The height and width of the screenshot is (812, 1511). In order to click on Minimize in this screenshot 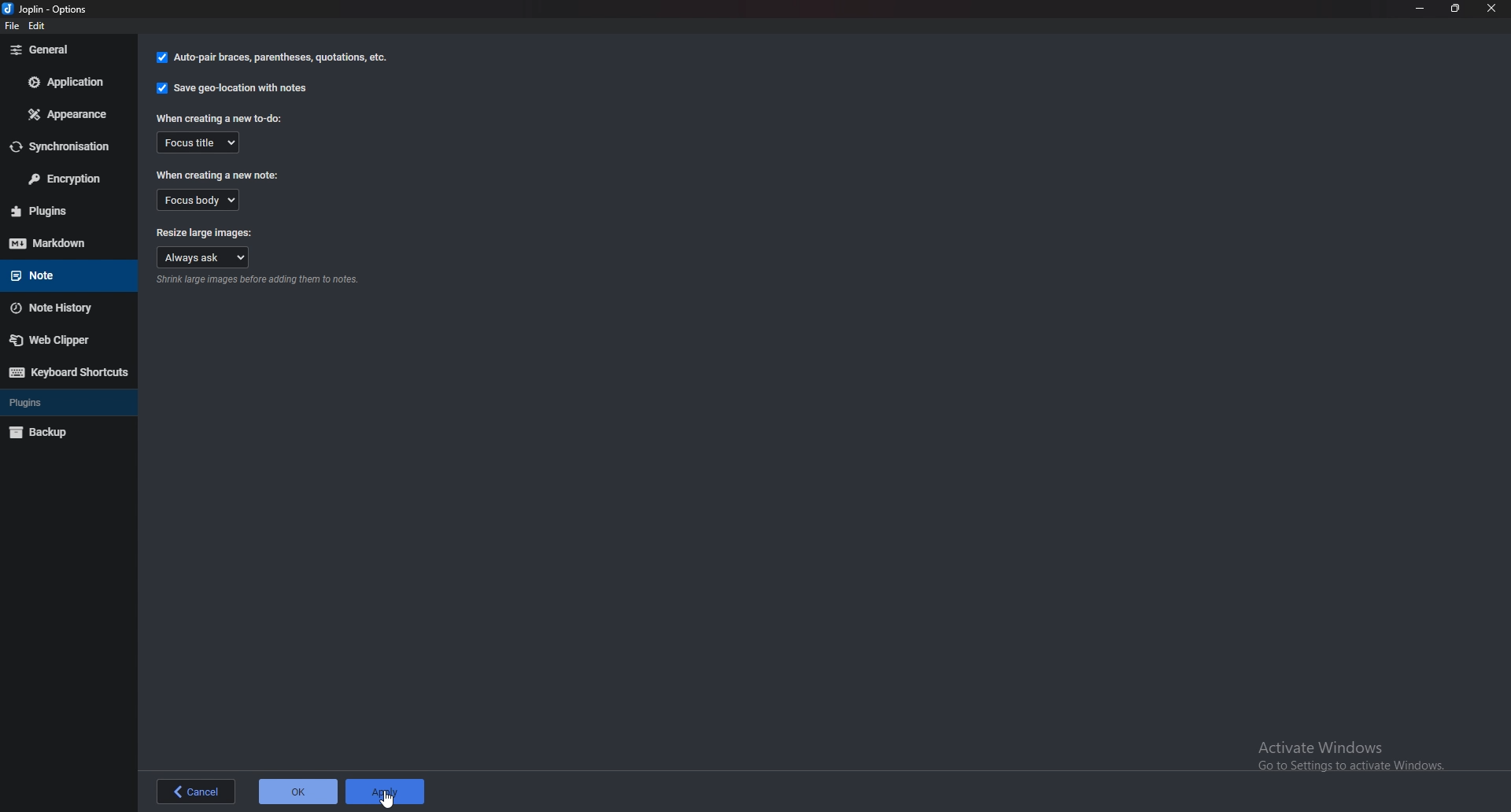, I will do `click(1420, 8)`.